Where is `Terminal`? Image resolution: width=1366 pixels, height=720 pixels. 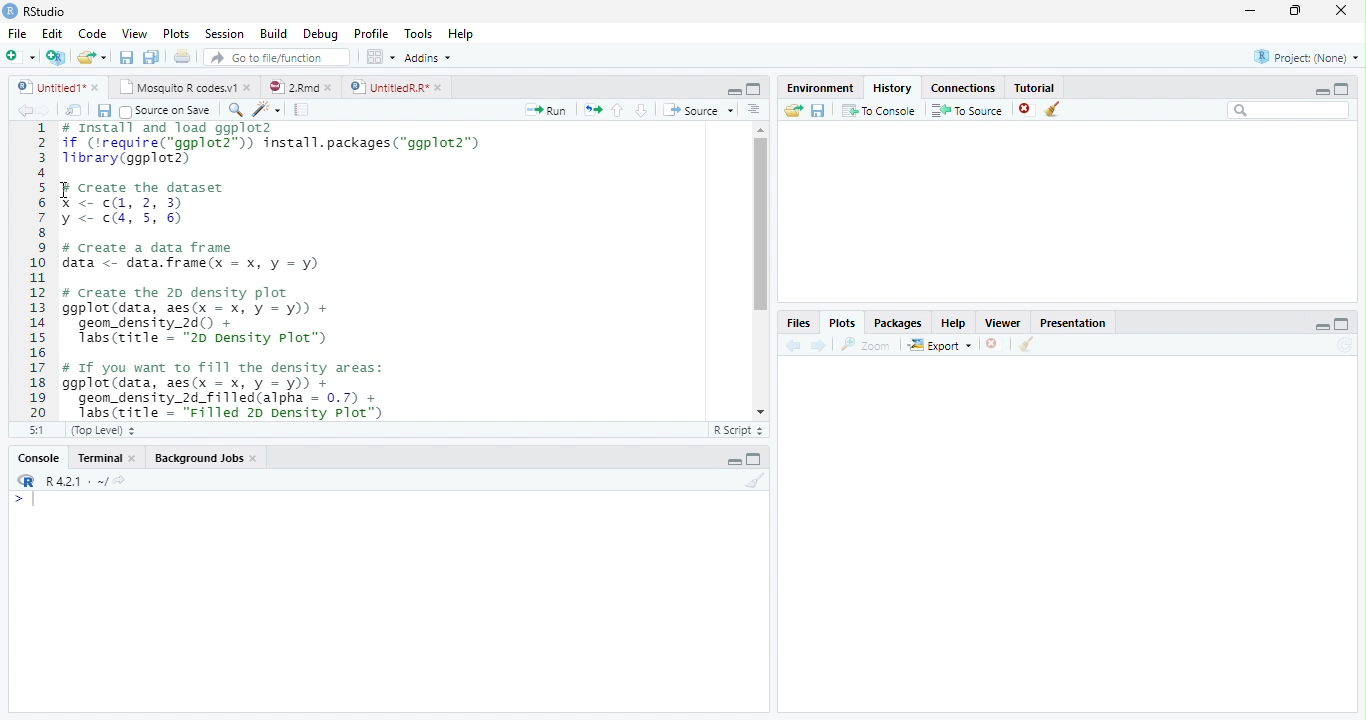
Terminal is located at coordinates (99, 458).